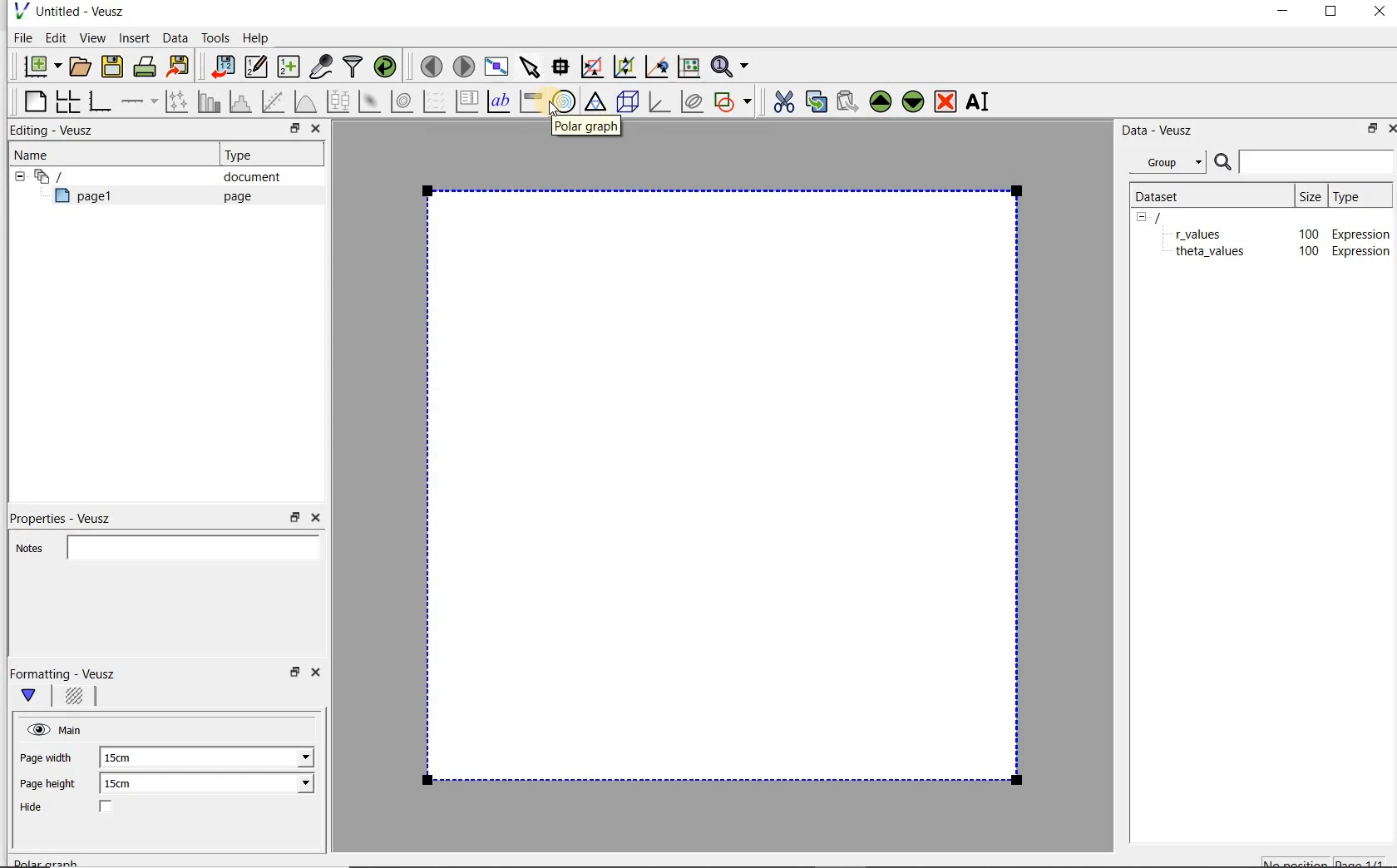 The width and height of the screenshot is (1397, 868). I want to click on Help, so click(258, 37).